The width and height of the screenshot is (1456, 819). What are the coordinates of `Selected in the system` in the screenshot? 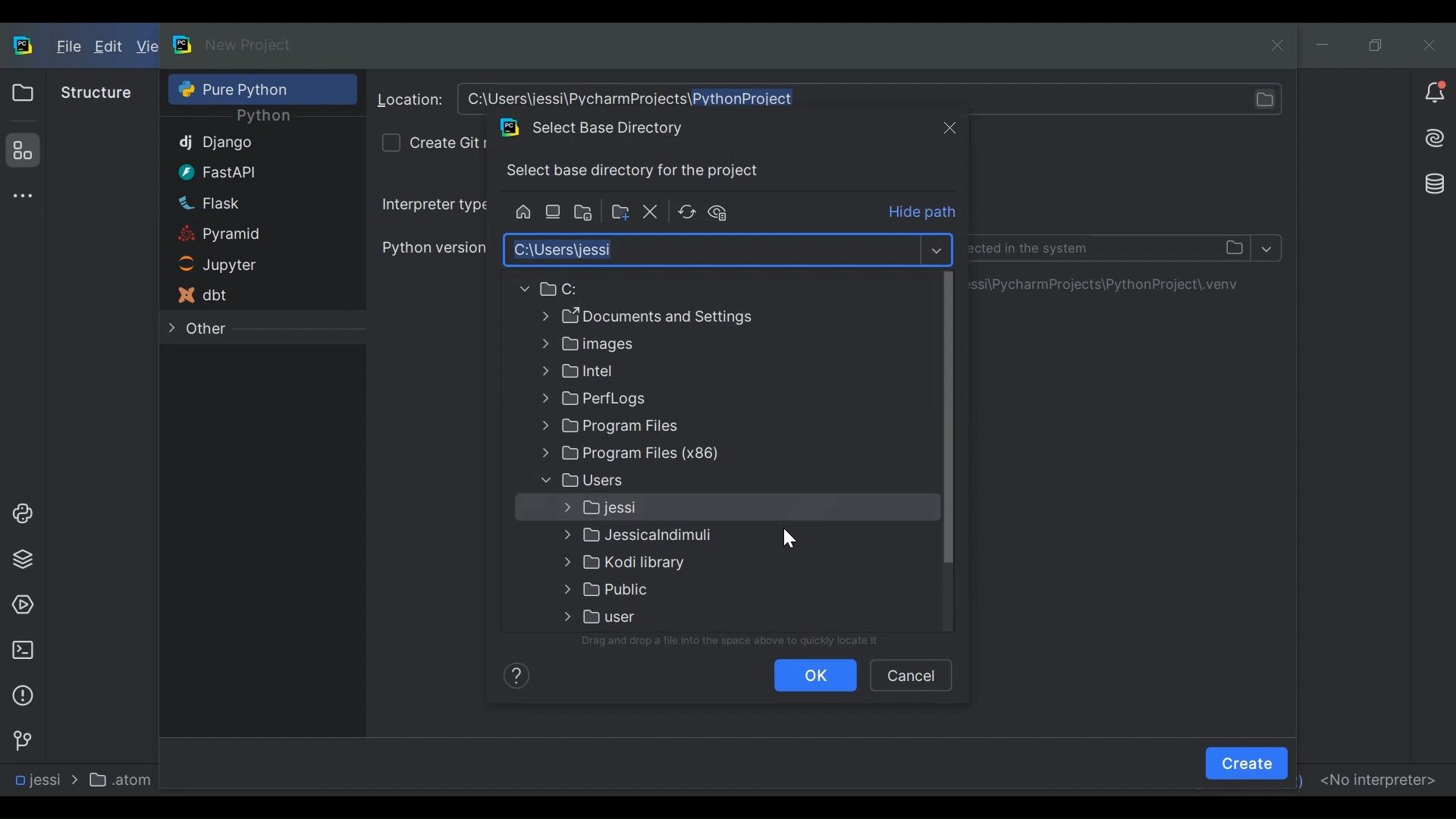 It's located at (1112, 247).